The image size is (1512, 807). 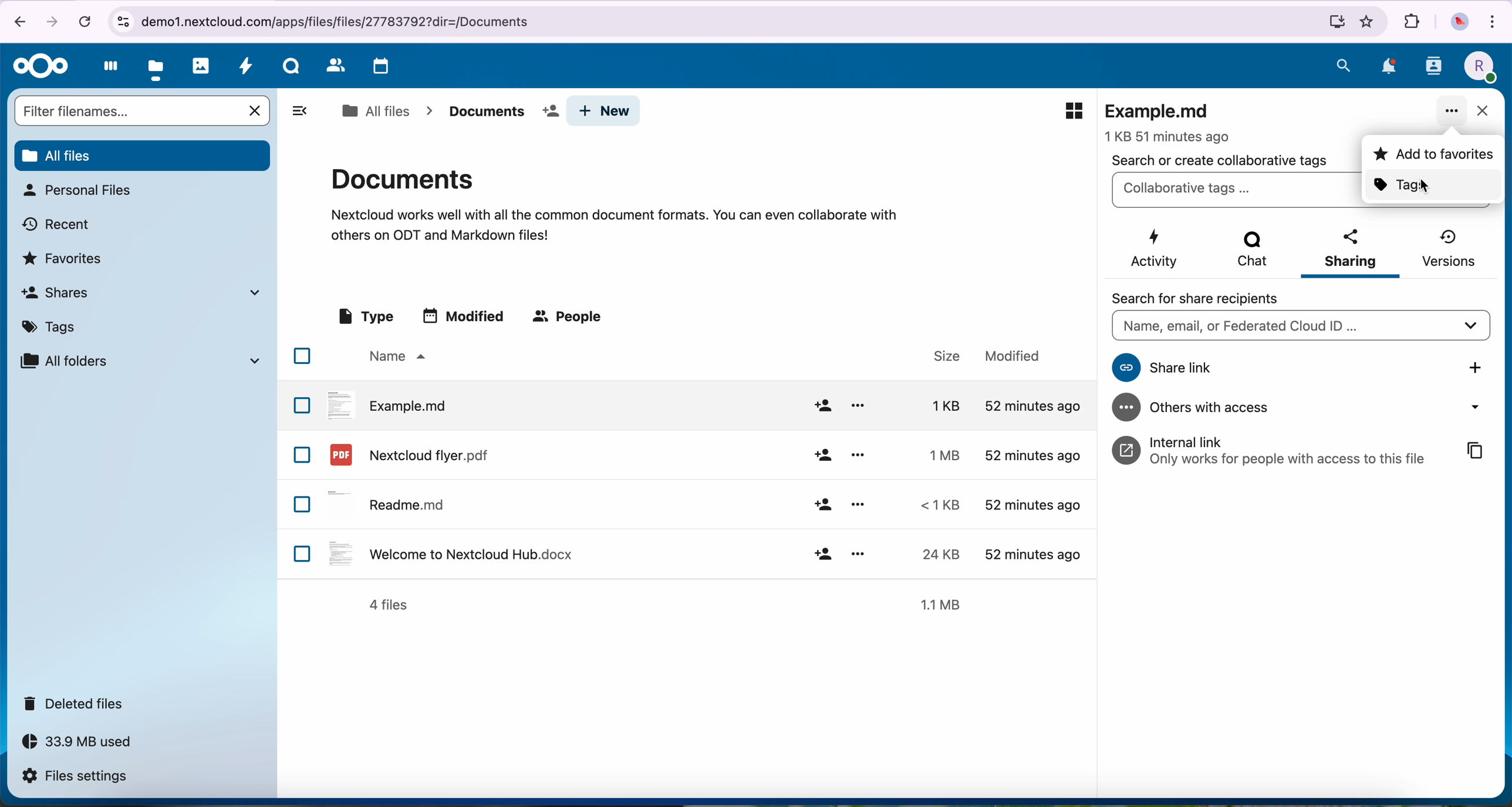 I want to click on search, so click(x=1344, y=65).